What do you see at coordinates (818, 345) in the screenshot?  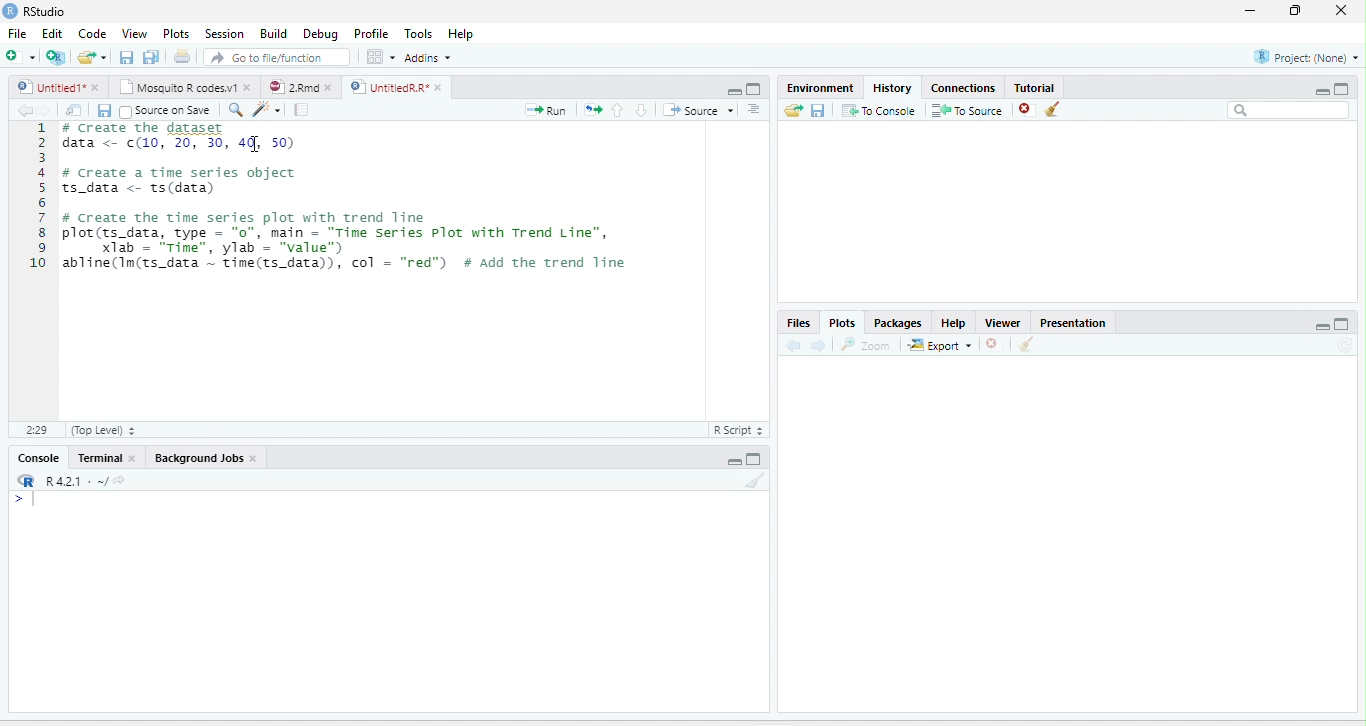 I see `Next plot` at bounding box center [818, 345].